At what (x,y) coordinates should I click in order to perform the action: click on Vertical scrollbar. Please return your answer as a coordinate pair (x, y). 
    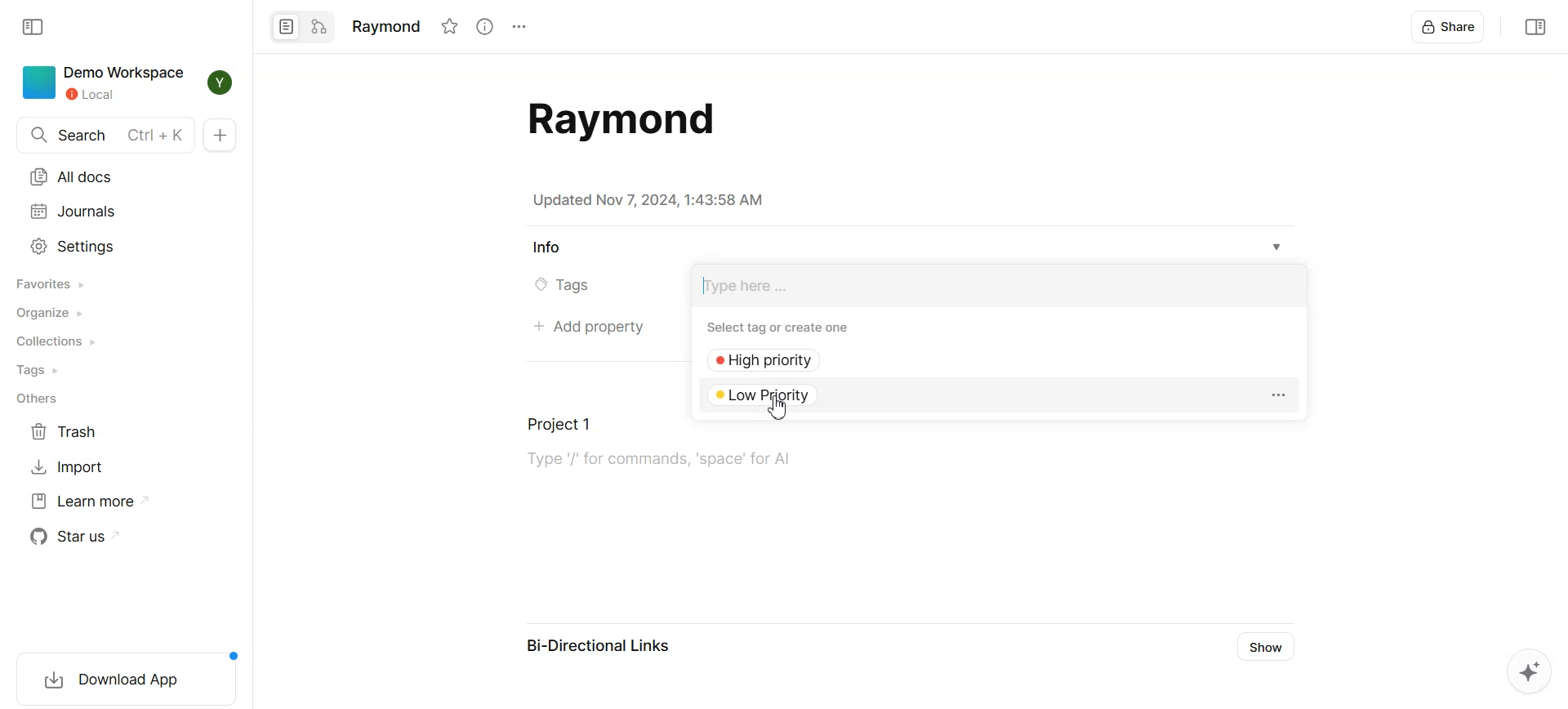
    Looking at the image, I should click on (1558, 354).